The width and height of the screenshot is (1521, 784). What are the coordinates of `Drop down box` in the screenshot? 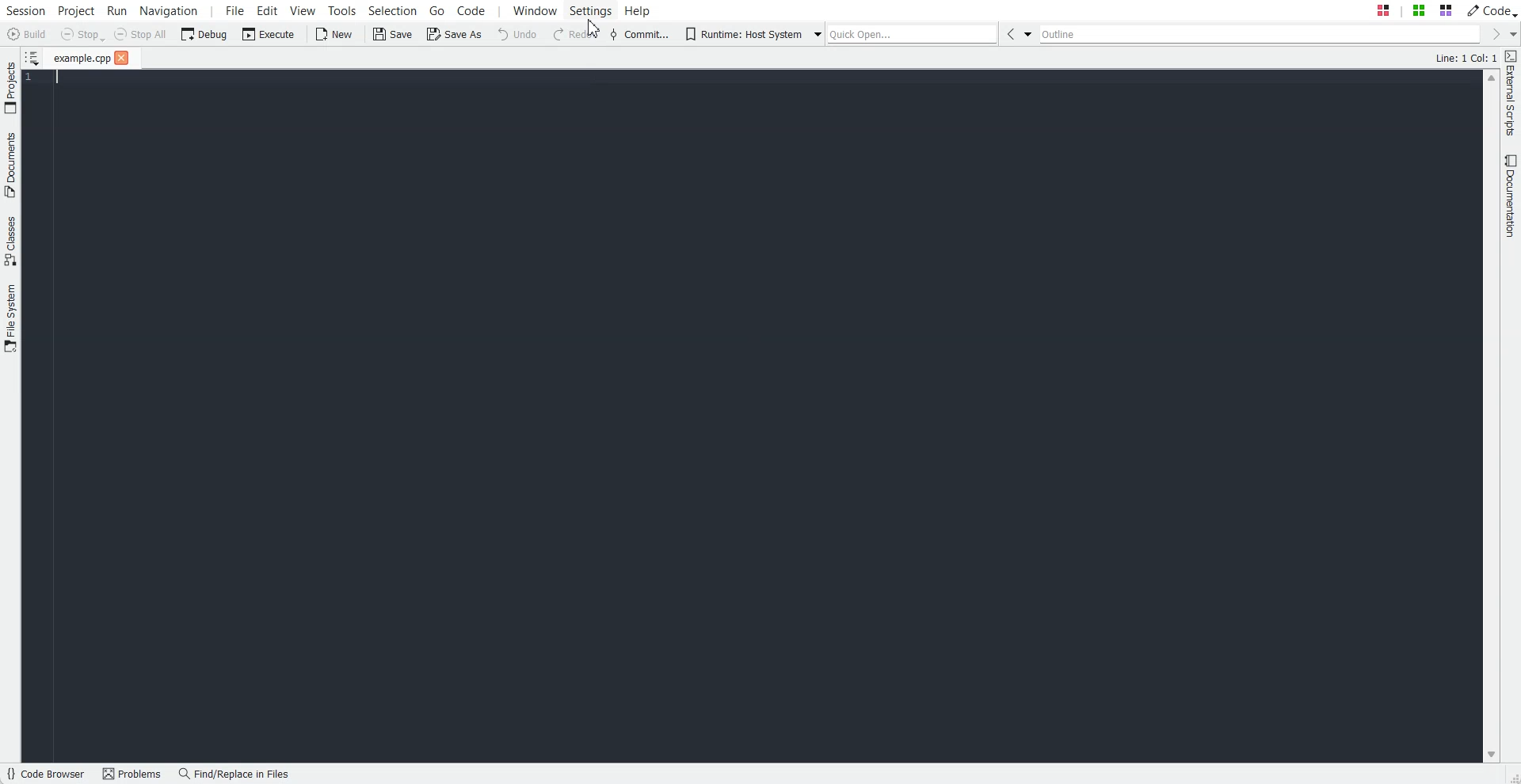 It's located at (814, 33).